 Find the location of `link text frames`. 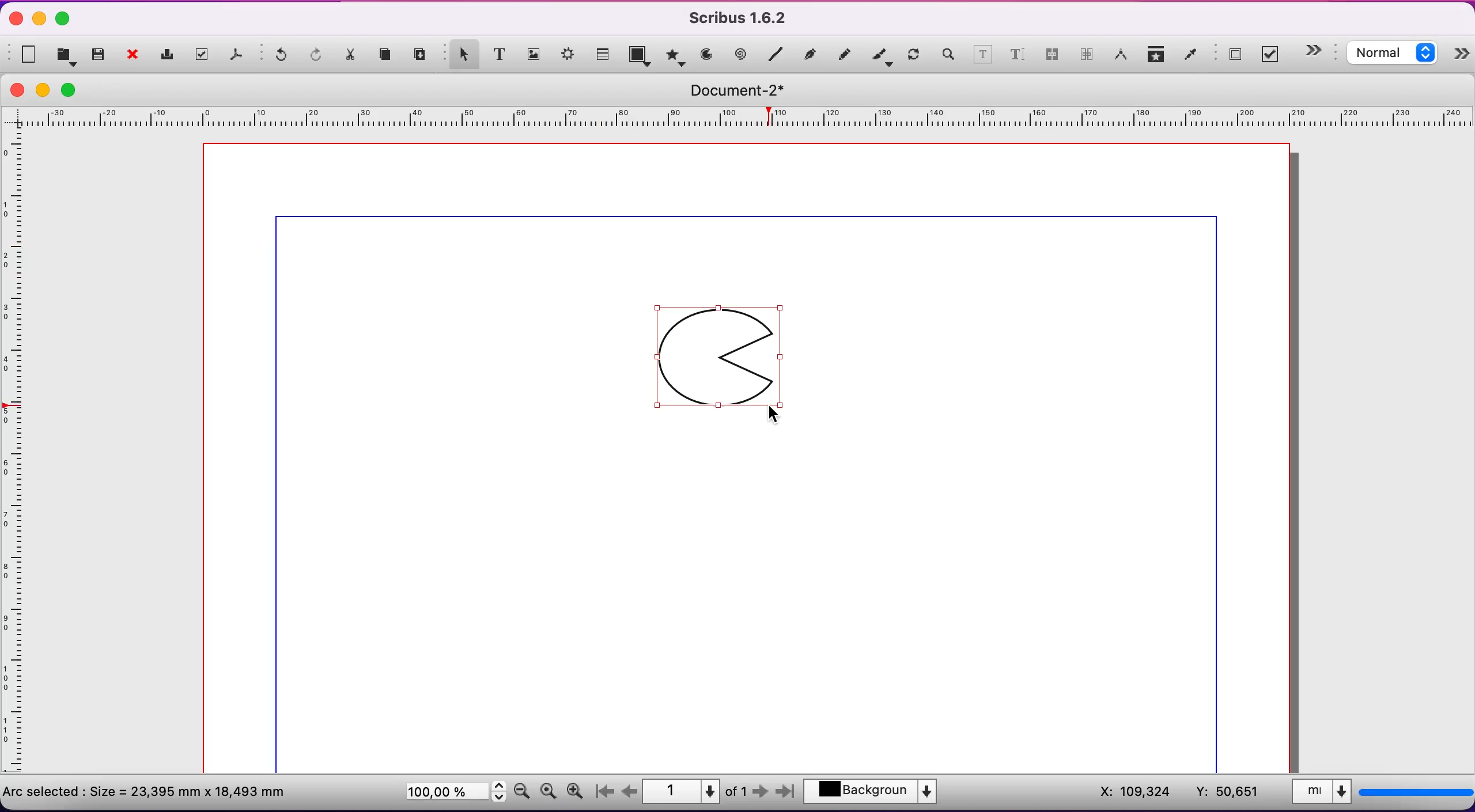

link text frames is located at coordinates (1052, 58).